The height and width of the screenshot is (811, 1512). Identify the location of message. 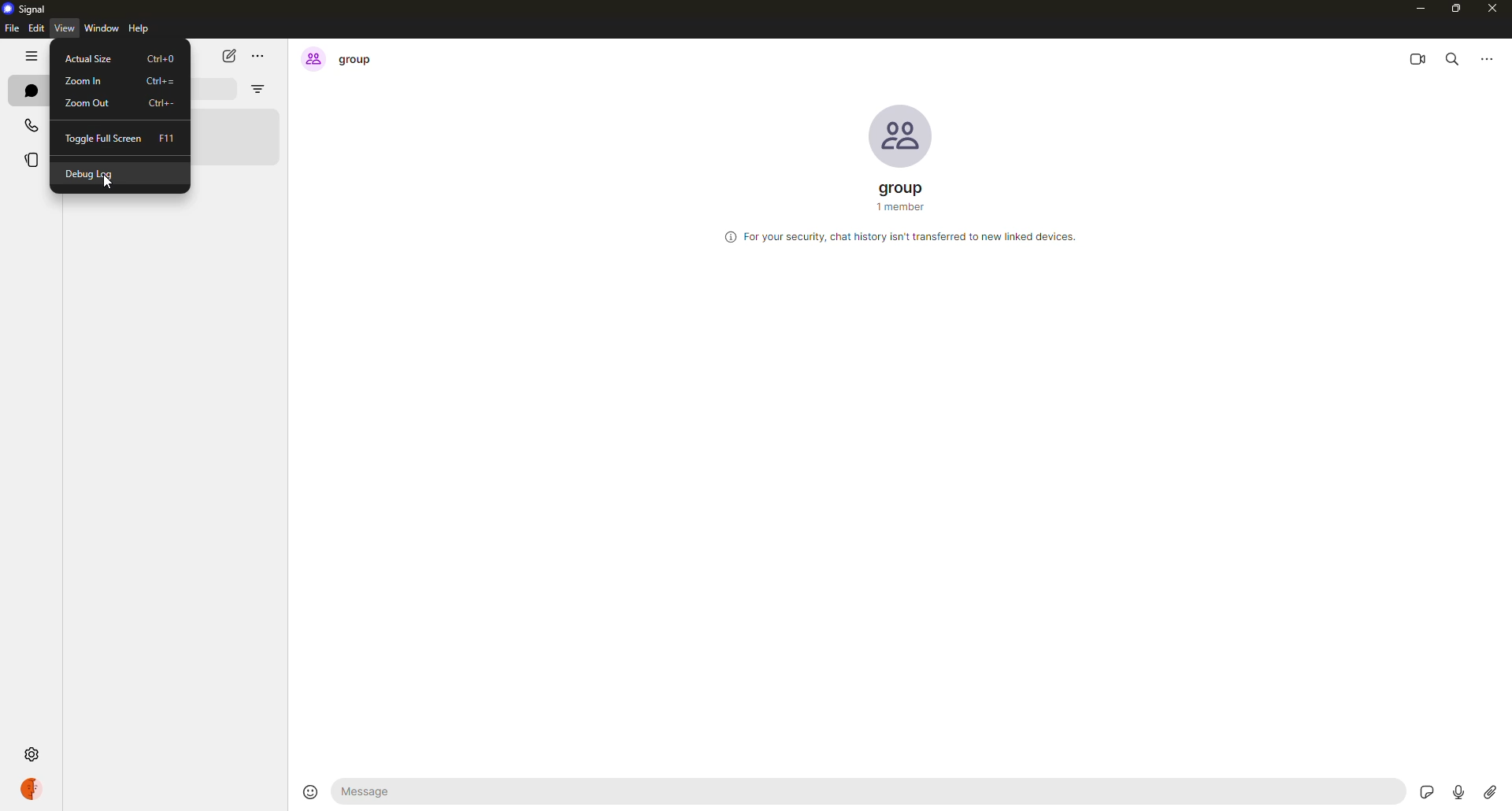
(432, 791).